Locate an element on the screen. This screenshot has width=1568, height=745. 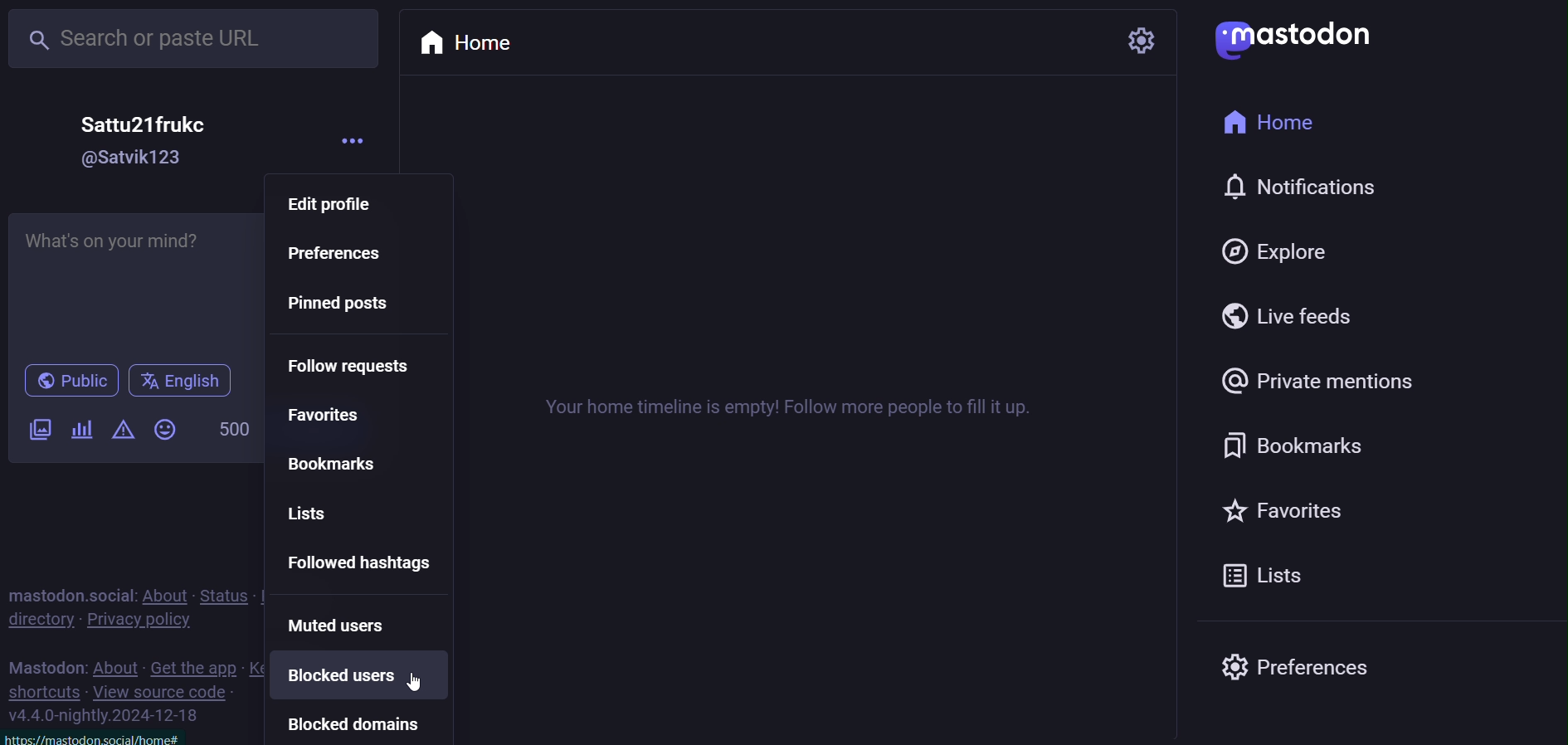
cursor is located at coordinates (421, 691).